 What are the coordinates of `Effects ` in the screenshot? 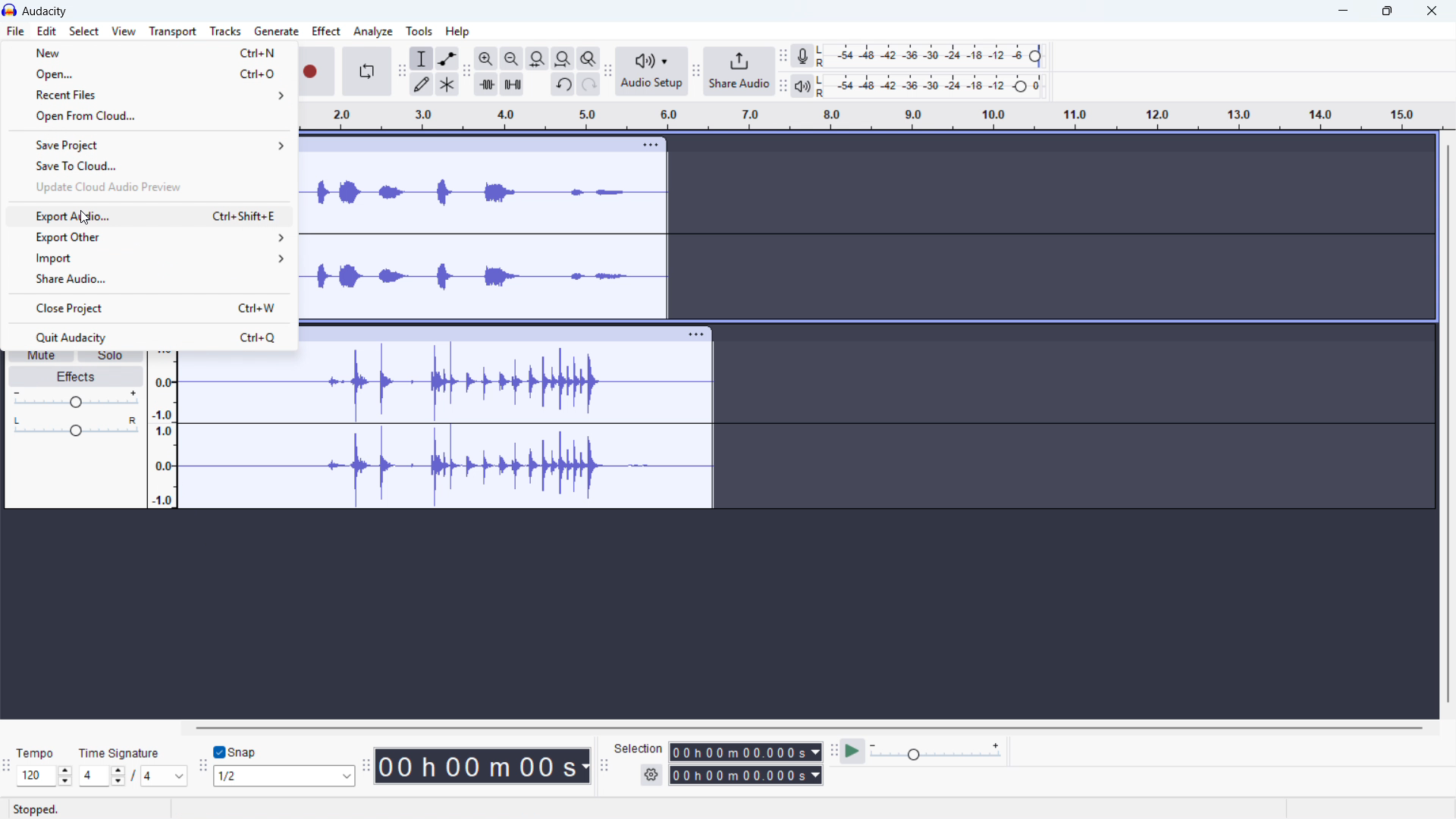 It's located at (76, 377).